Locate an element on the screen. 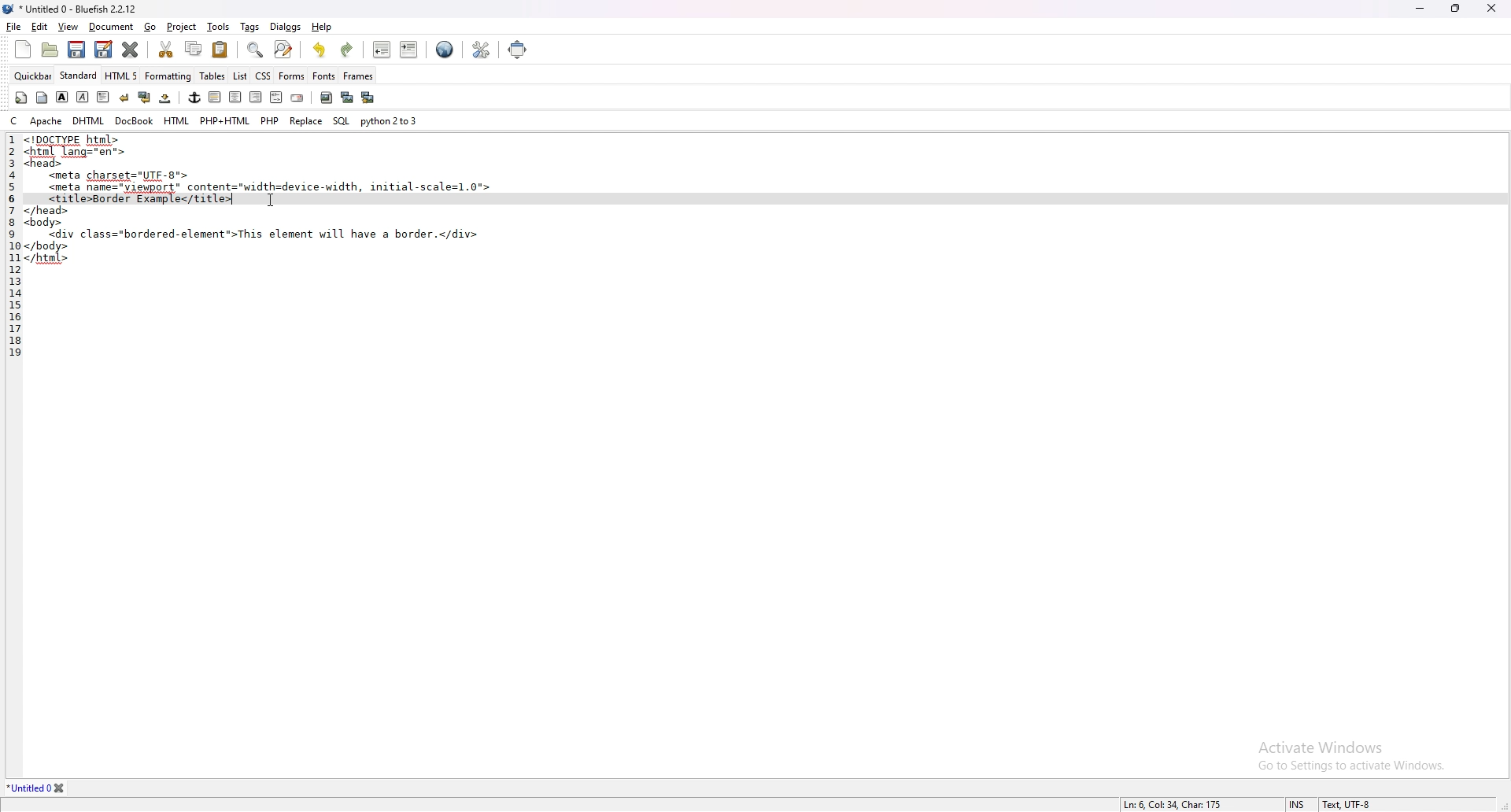  quickstart is located at coordinates (21, 98).